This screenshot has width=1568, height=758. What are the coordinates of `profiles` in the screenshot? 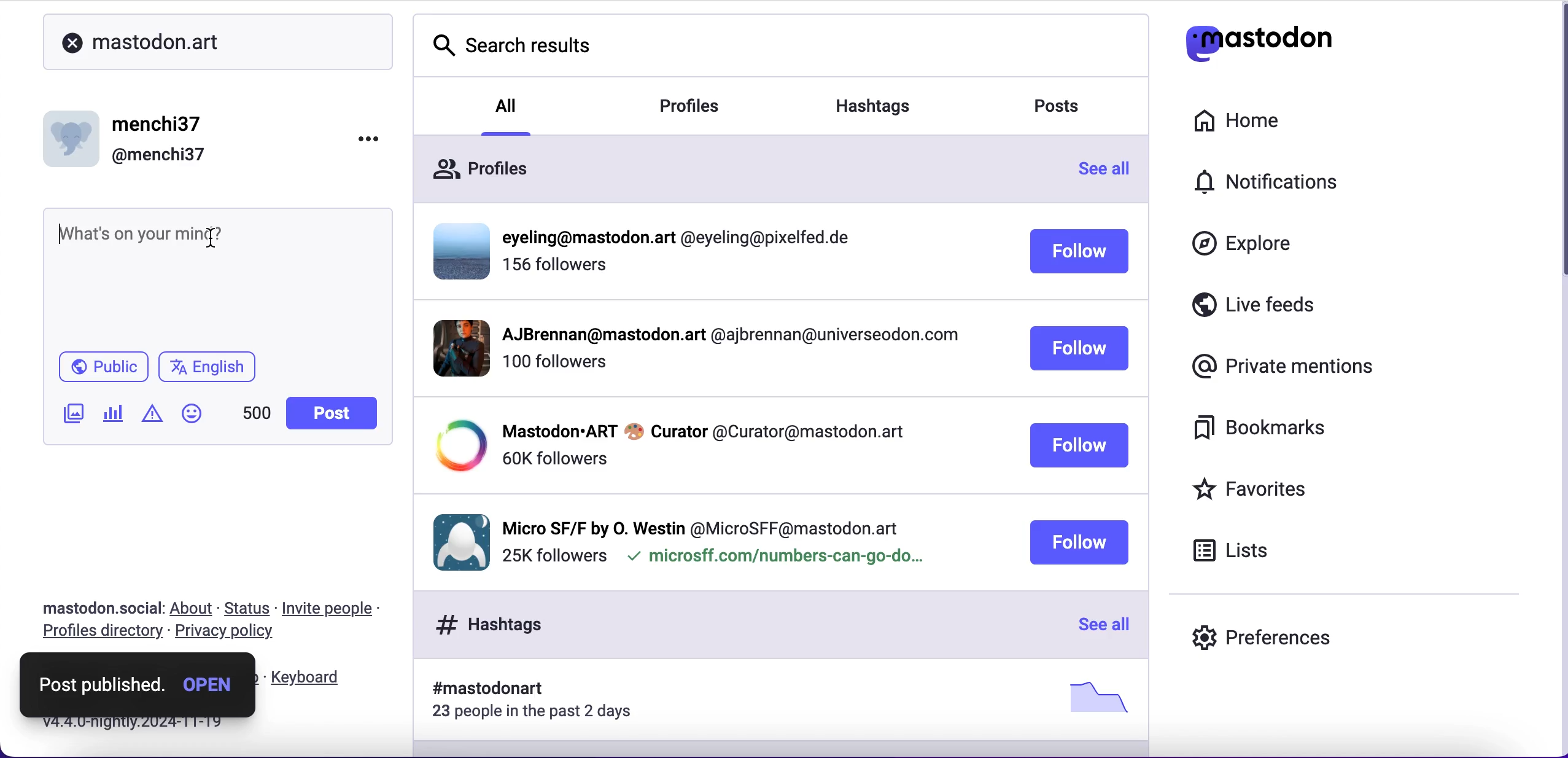 It's located at (496, 167).